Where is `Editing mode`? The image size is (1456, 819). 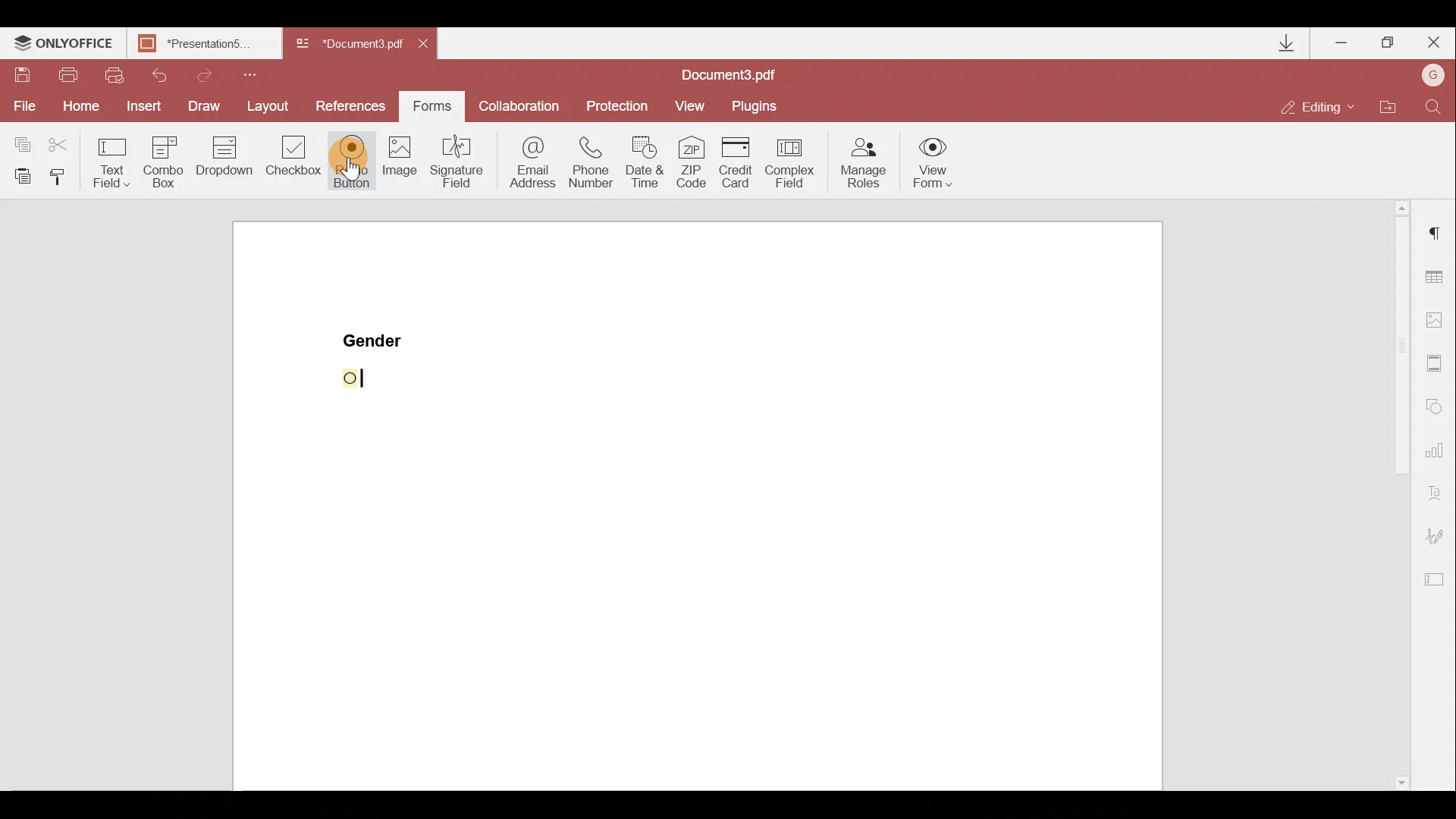
Editing mode is located at coordinates (1323, 101).